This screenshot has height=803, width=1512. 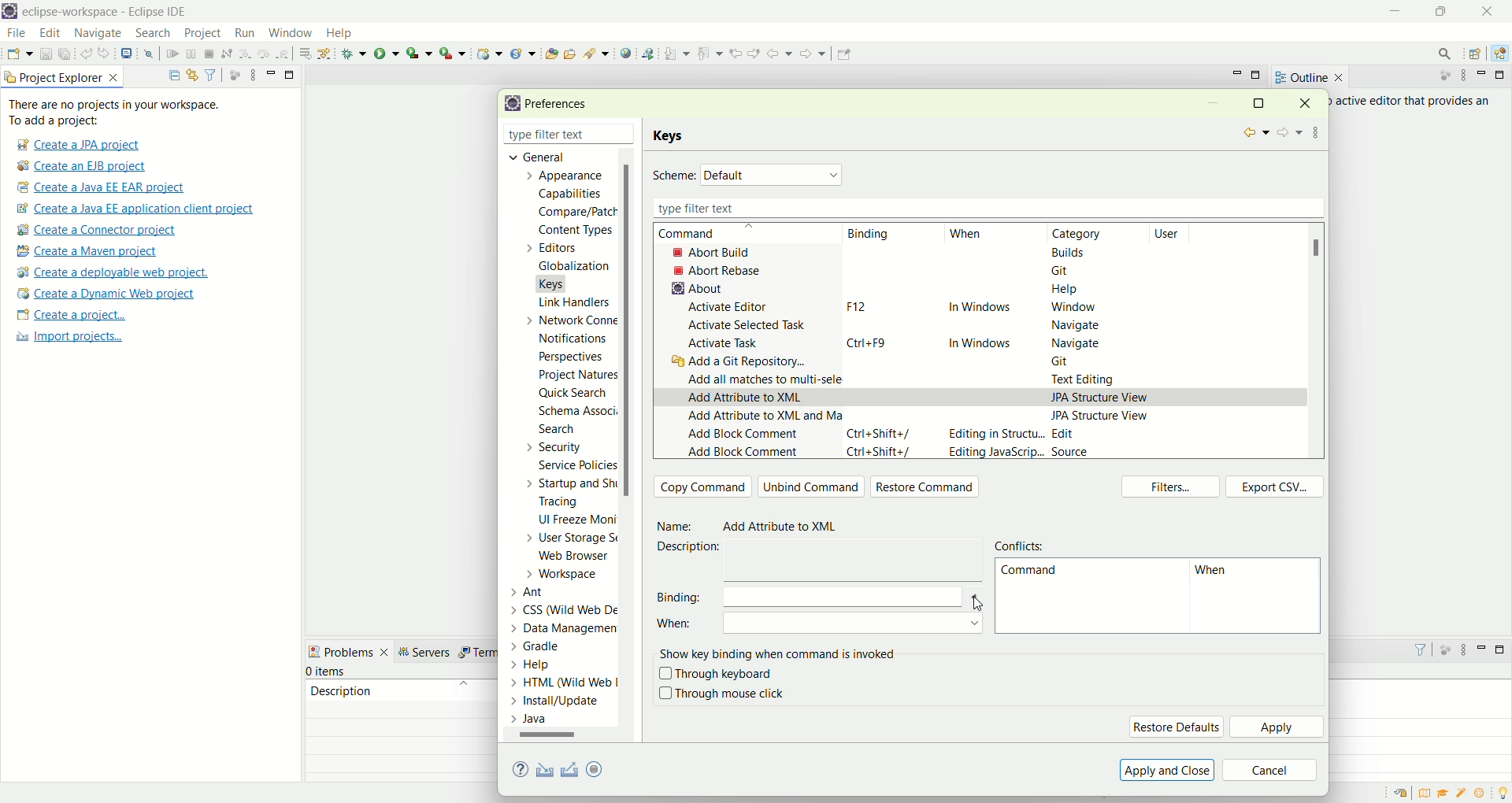 I want to click on tracing, so click(x=569, y=503).